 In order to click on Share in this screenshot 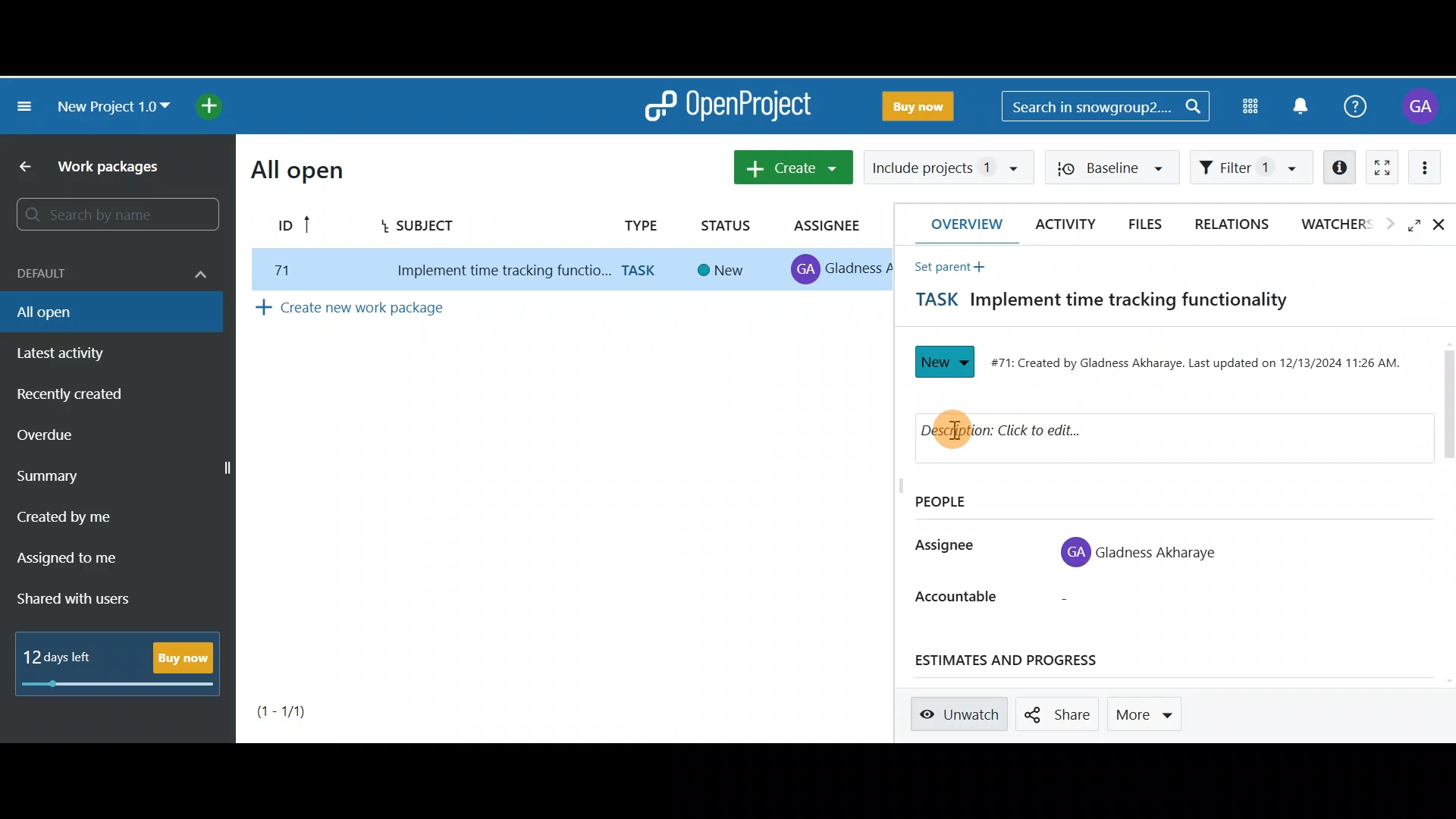, I will do `click(1059, 714)`.